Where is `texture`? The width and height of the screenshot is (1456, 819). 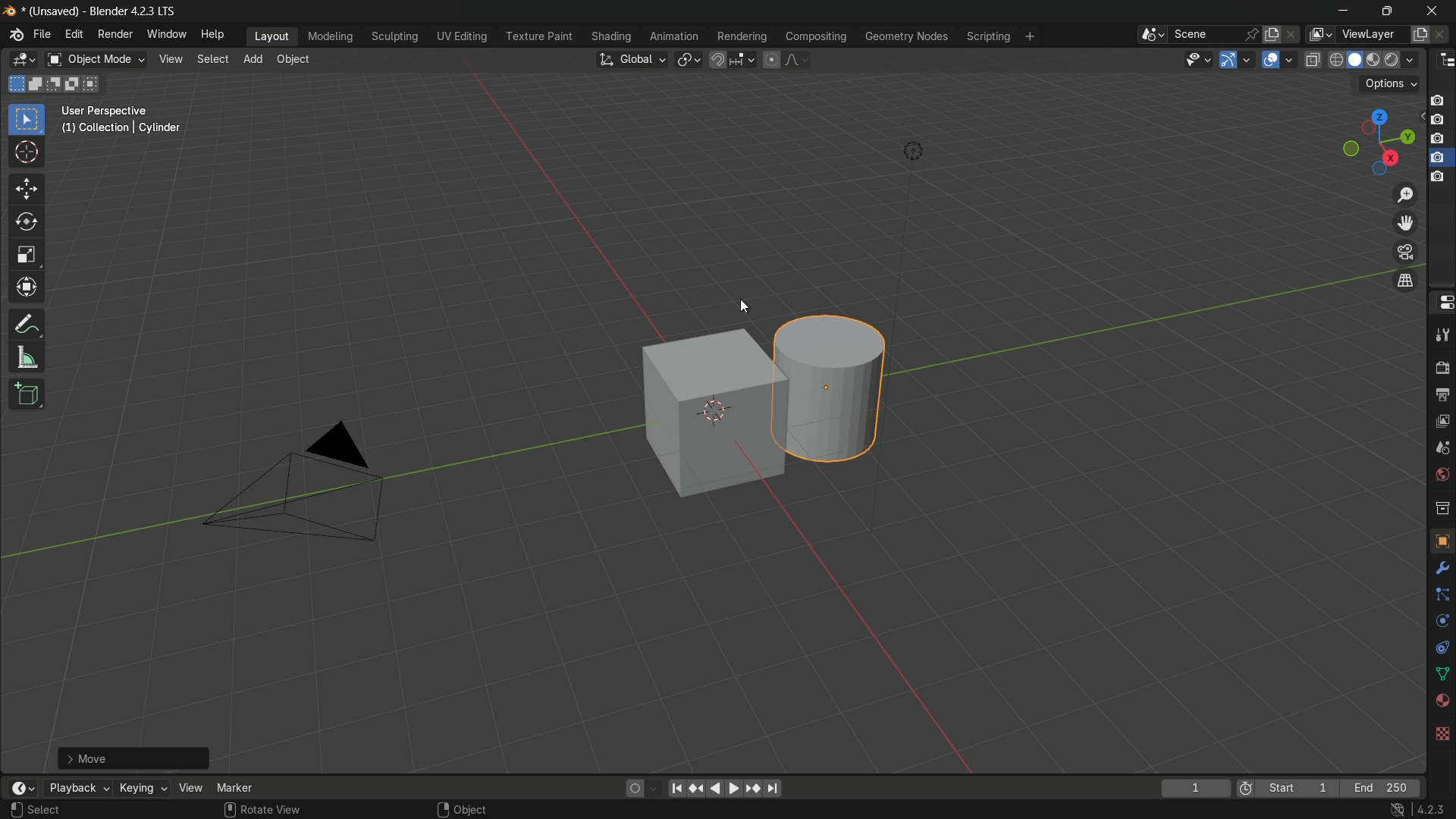 texture is located at coordinates (1441, 541).